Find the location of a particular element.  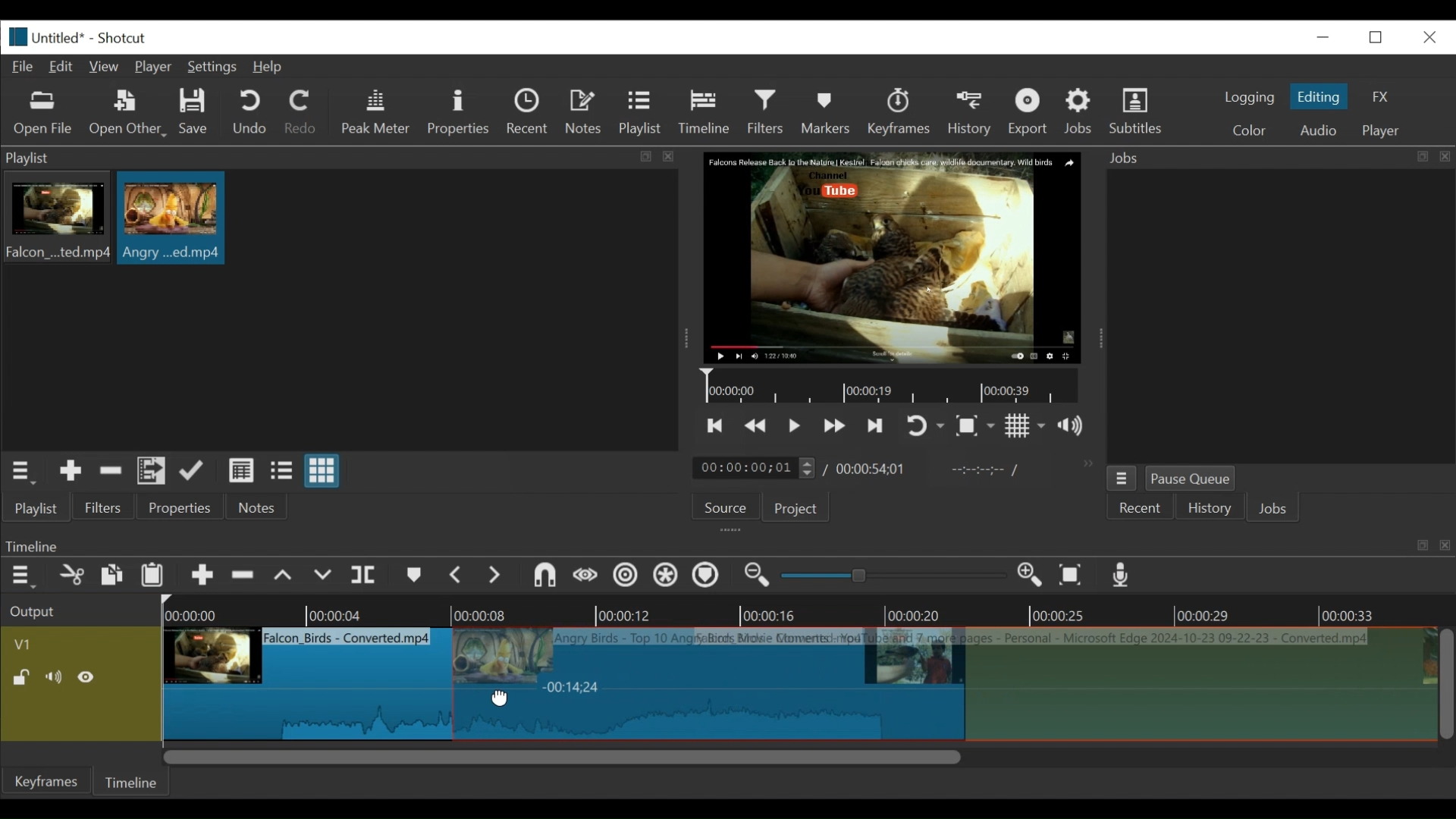

logging is located at coordinates (1248, 97).